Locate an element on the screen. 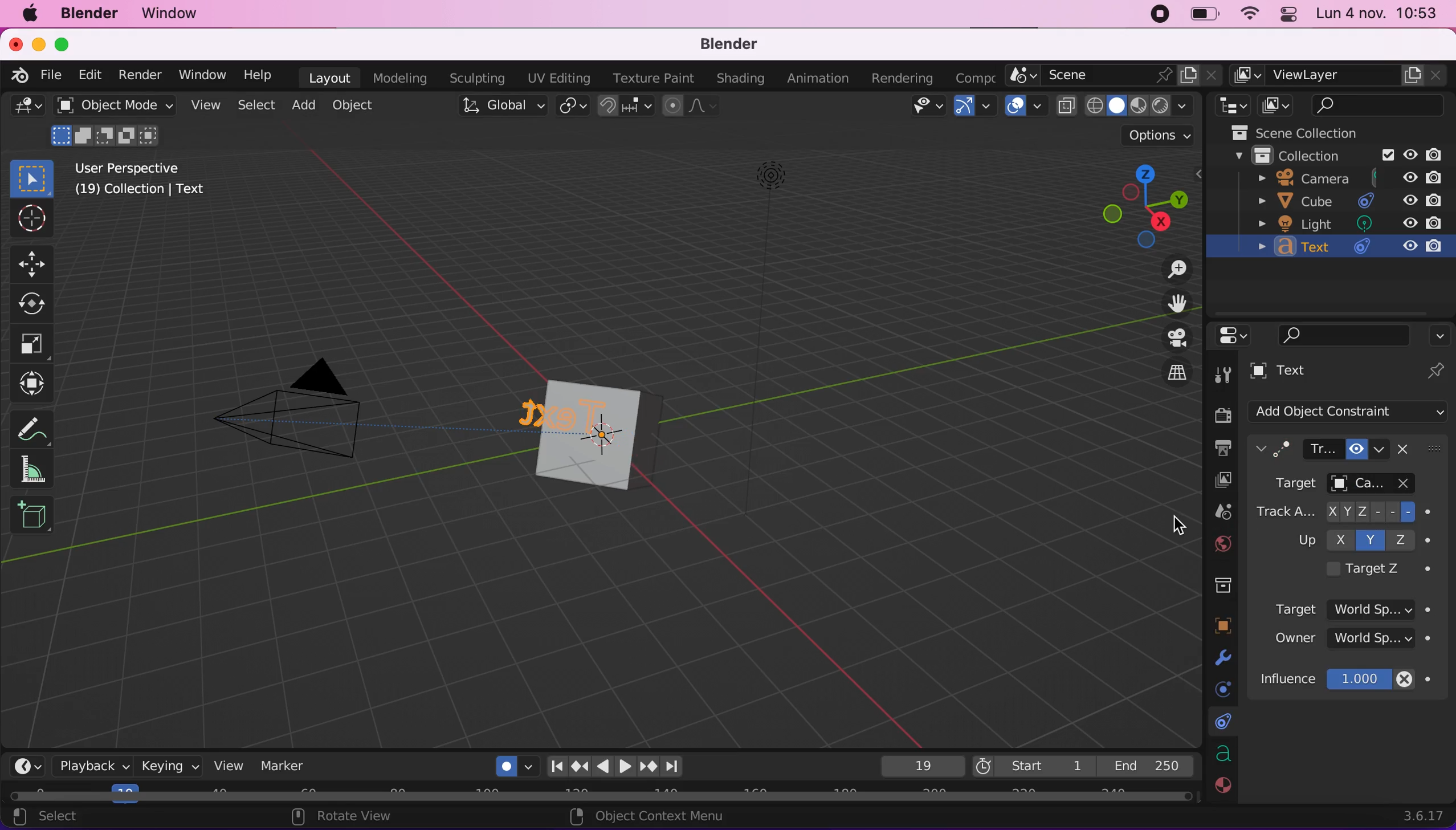  move the view is located at coordinates (1177, 304).